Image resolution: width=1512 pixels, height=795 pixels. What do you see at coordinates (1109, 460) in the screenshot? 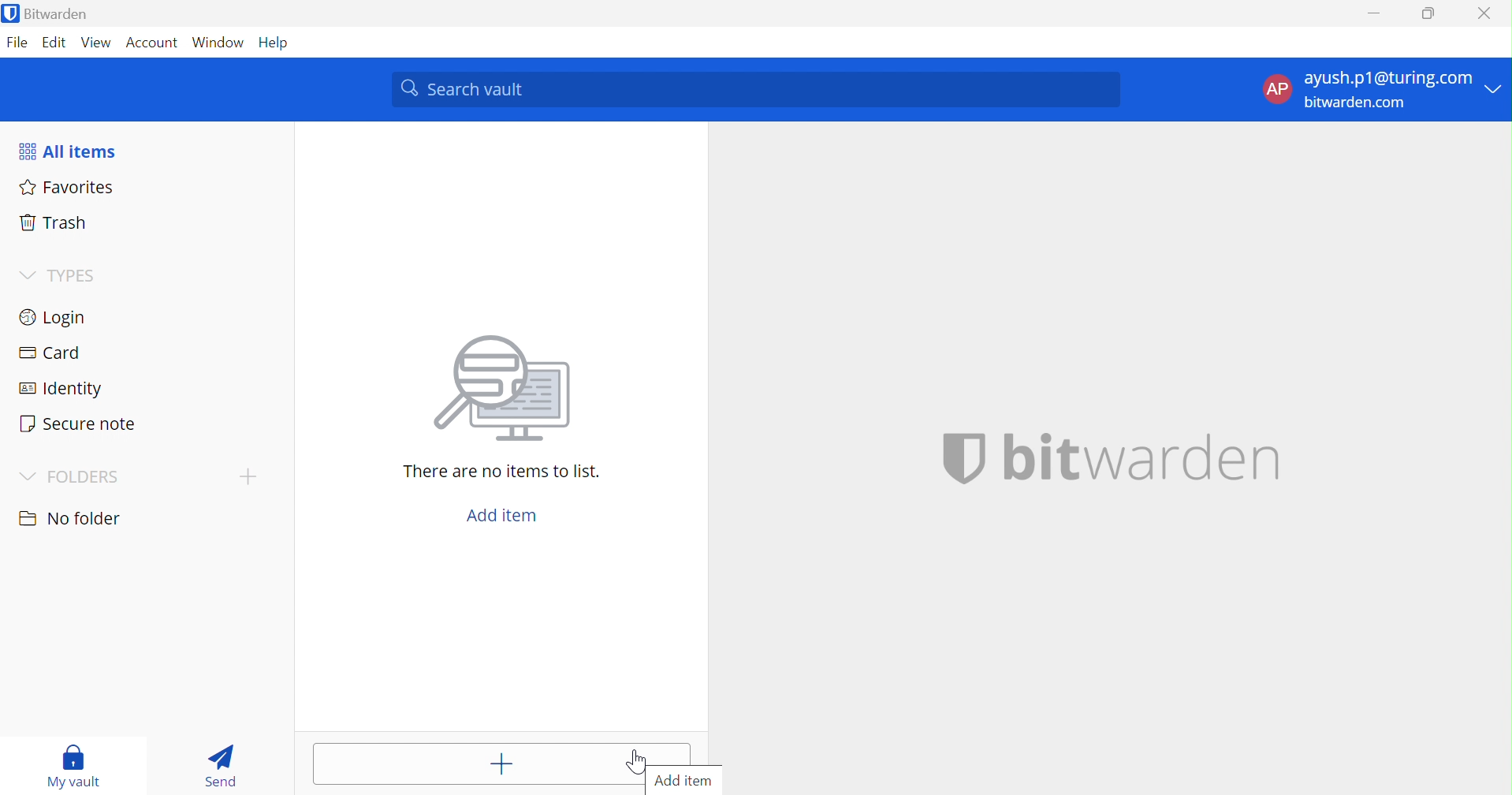
I see `bitwarden` at bounding box center [1109, 460].